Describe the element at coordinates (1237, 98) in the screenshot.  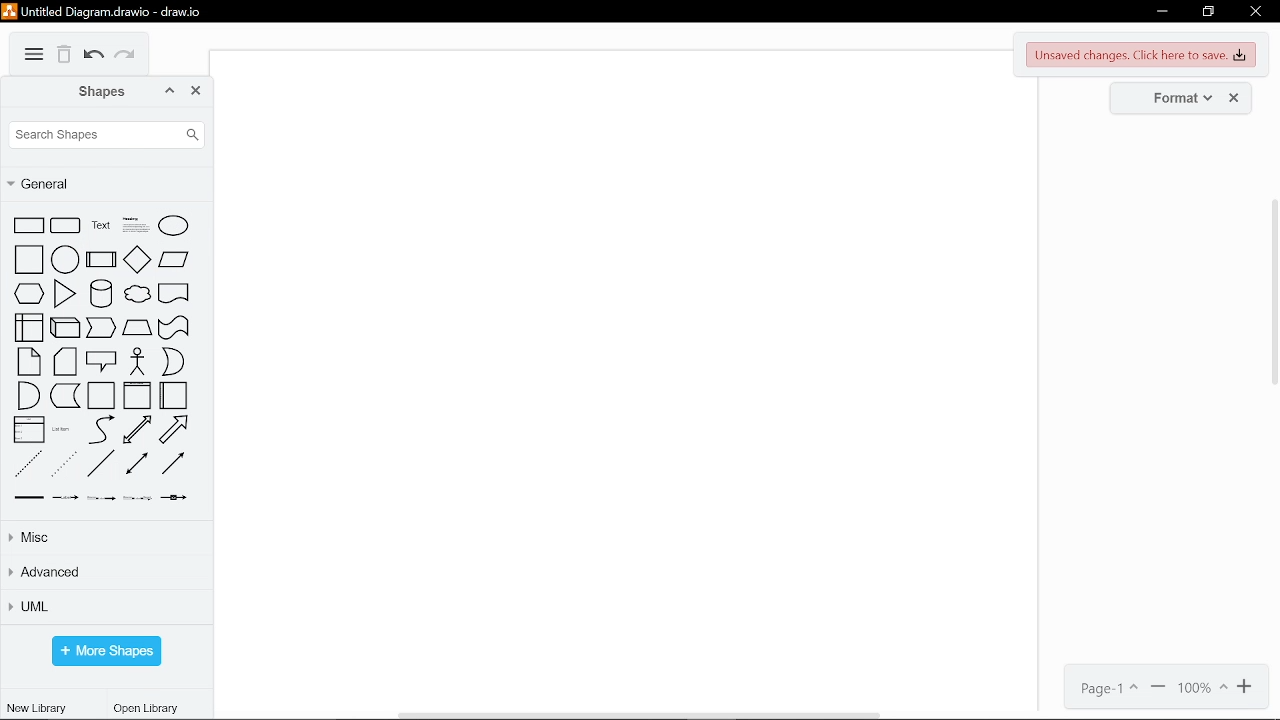
I see `close` at that location.